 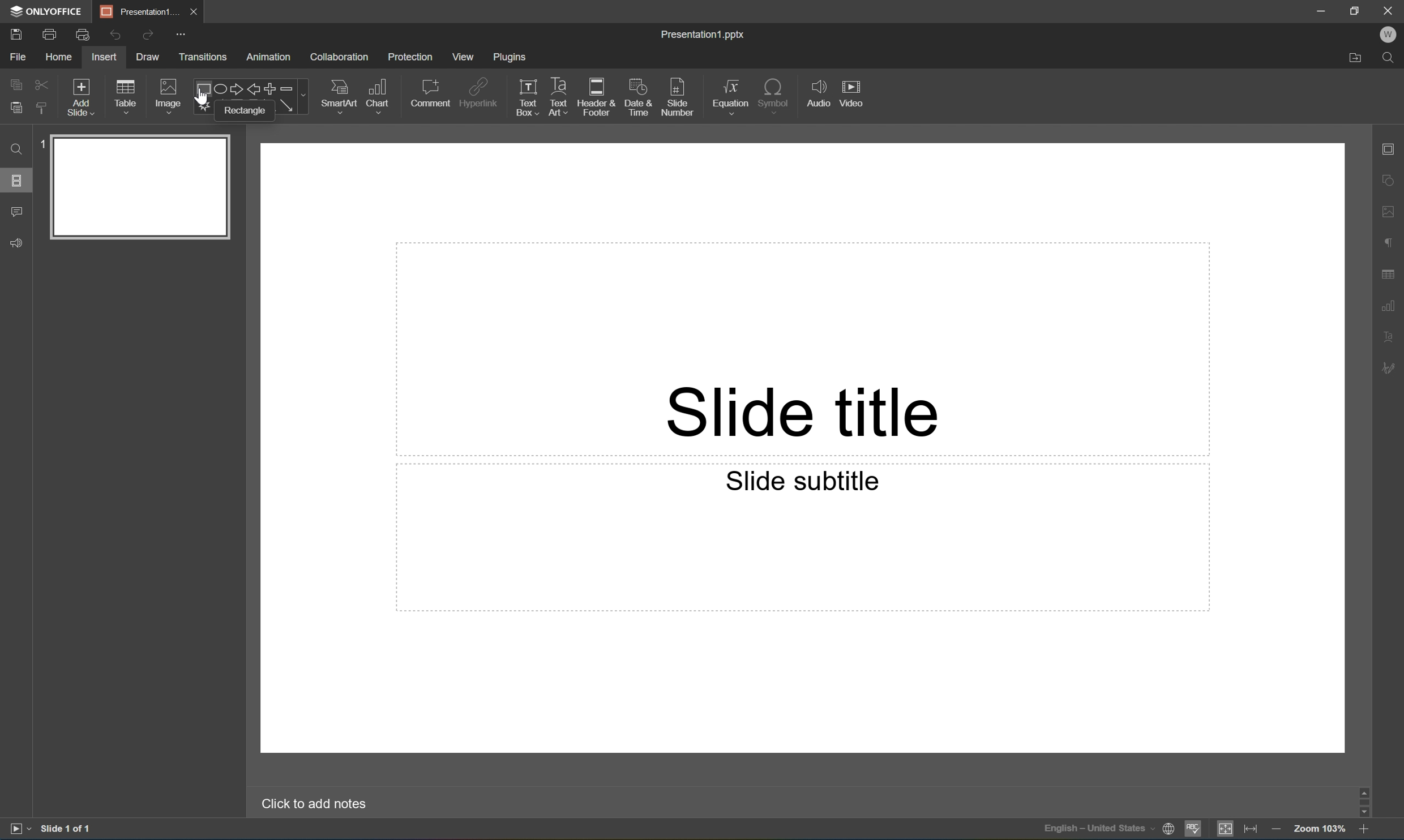 What do you see at coordinates (15, 33) in the screenshot?
I see `Save` at bounding box center [15, 33].